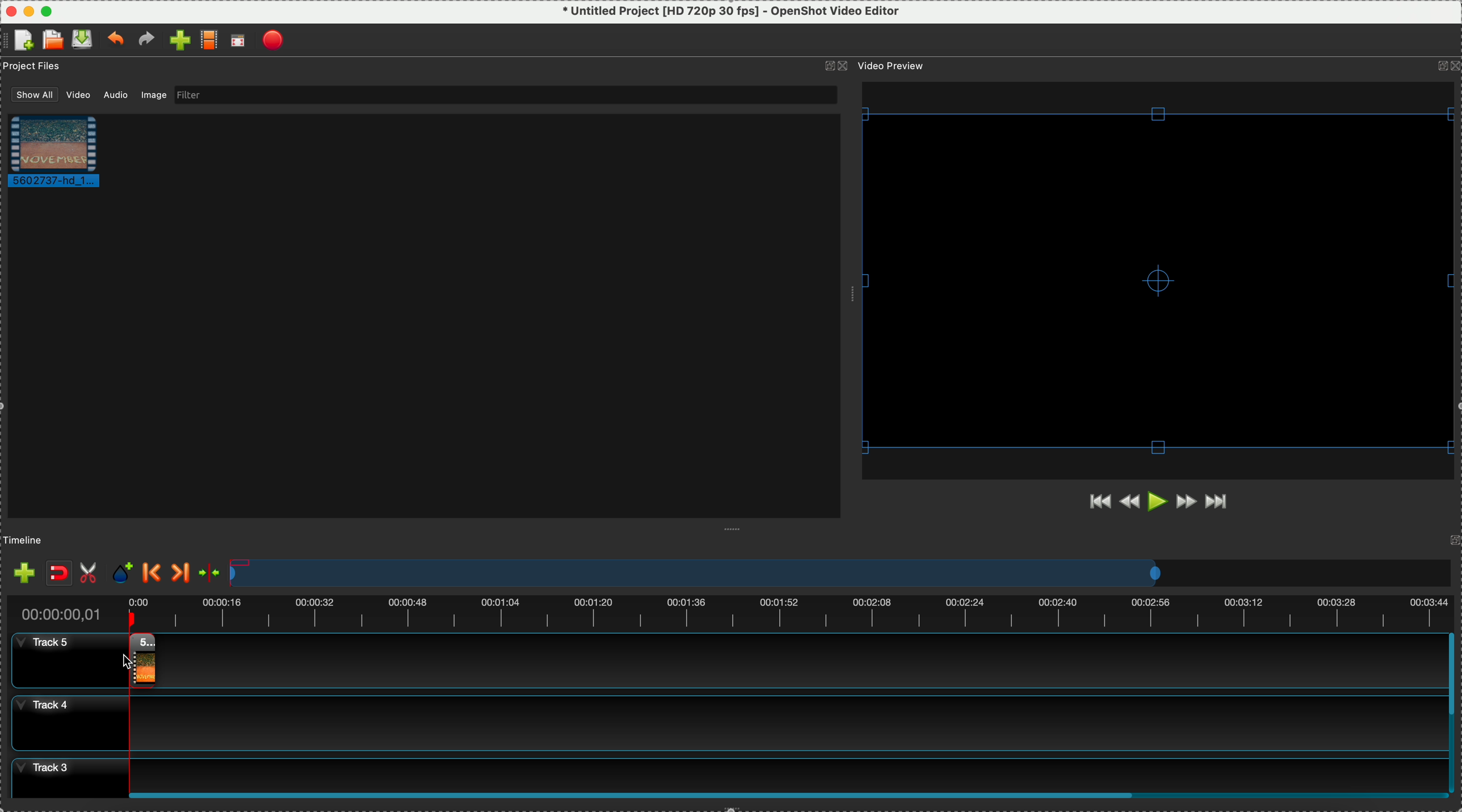 This screenshot has width=1462, height=812. I want to click on choose profile, so click(209, 41).